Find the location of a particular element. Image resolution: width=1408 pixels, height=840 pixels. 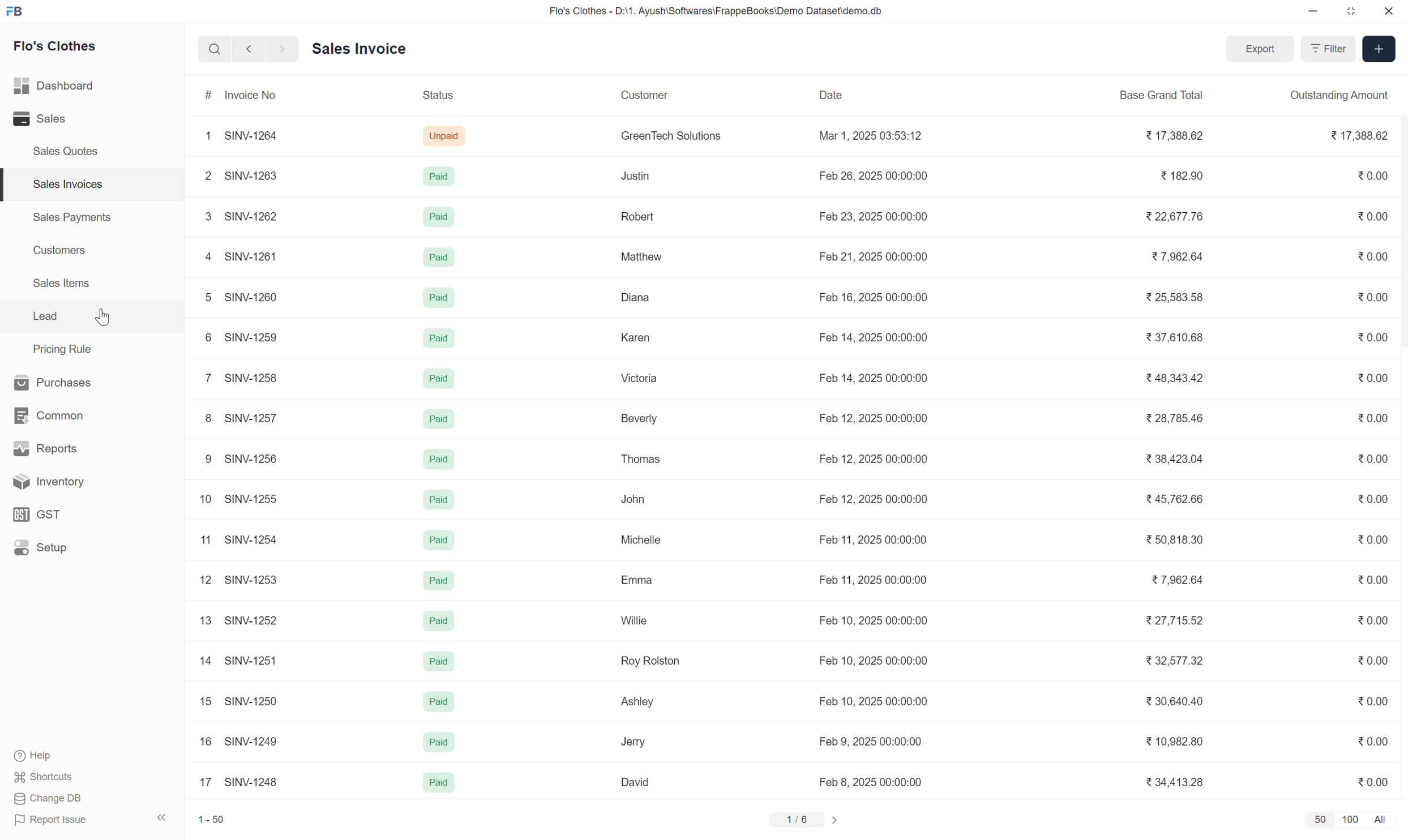

Lead is located at coordinates (45, 316).